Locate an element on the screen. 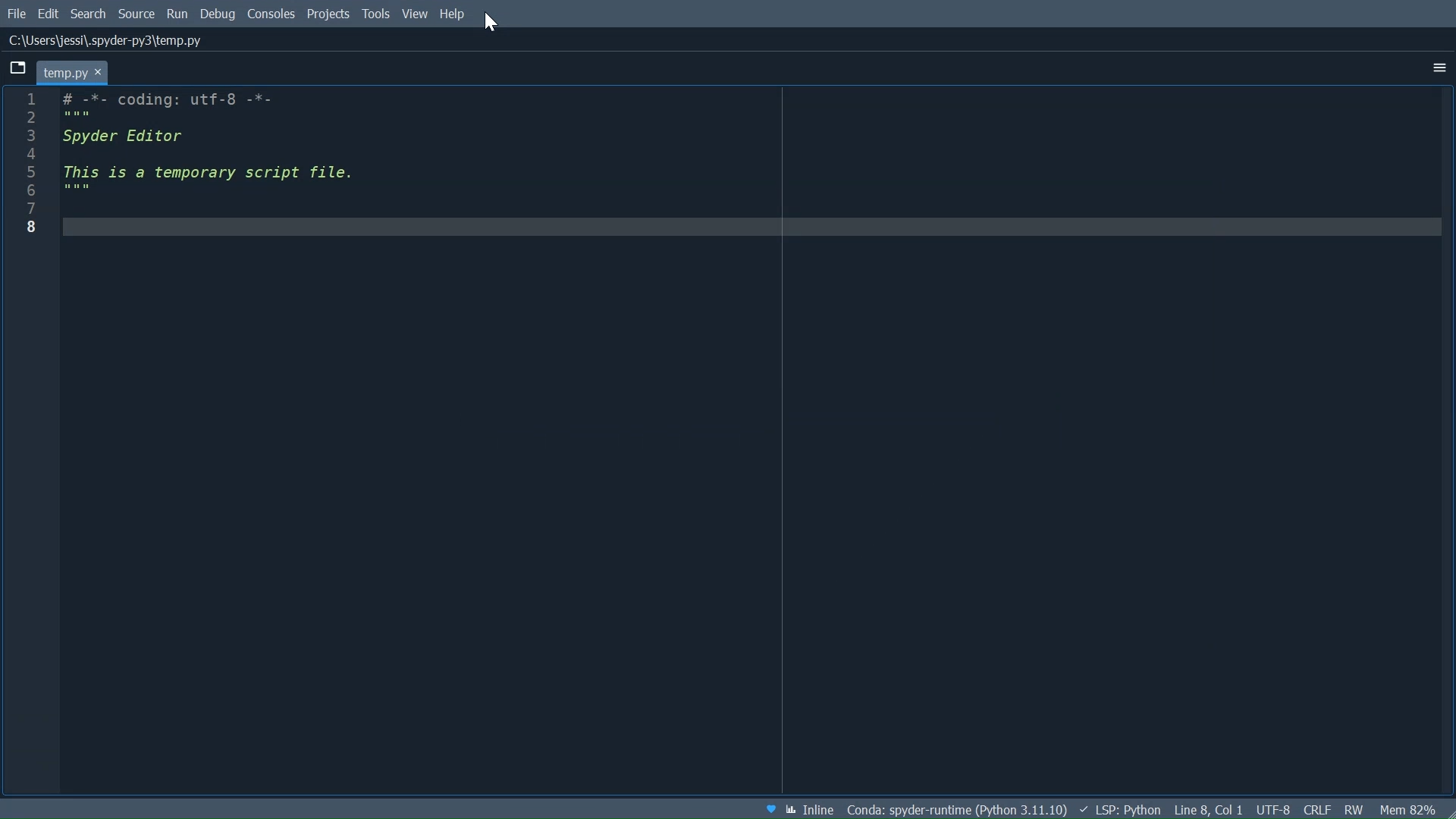 This screenshot has height=819, width=1456. File EQL Status is located at coordinates (1318, 810).